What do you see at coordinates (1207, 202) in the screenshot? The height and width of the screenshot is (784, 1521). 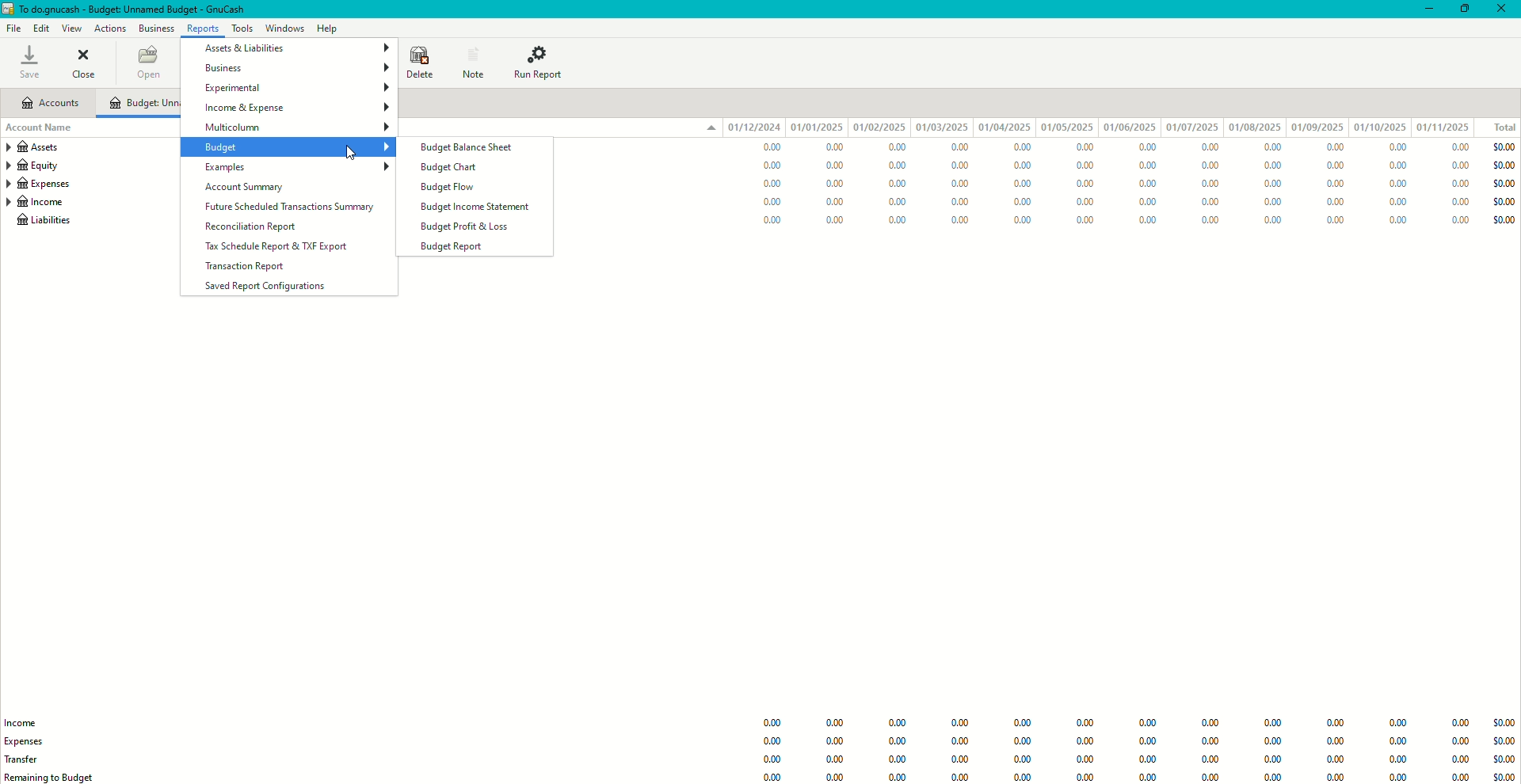 I see `0.00` at bounding box center [1207, 202].